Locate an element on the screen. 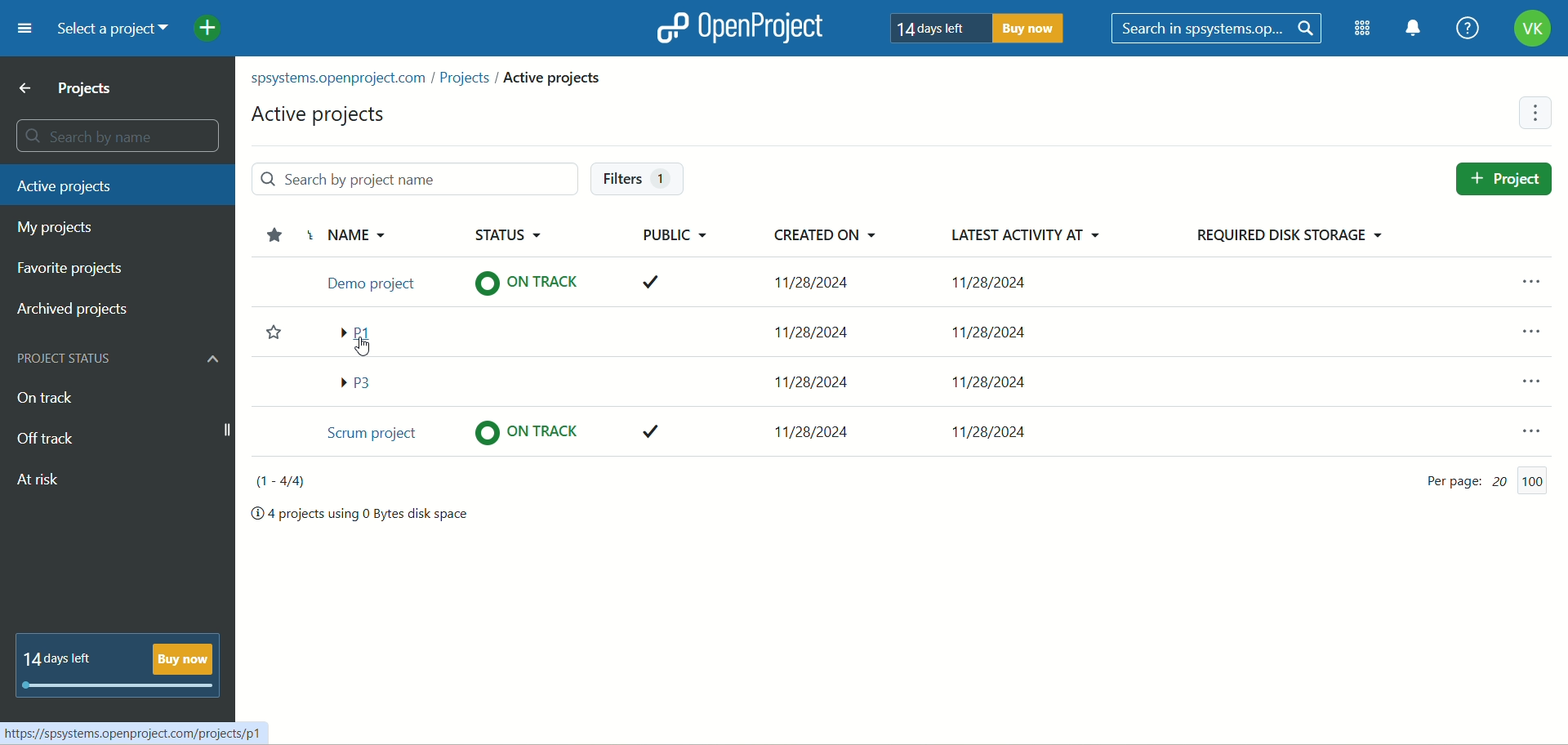  11/28/2024 is located at coordinates (817, 280).